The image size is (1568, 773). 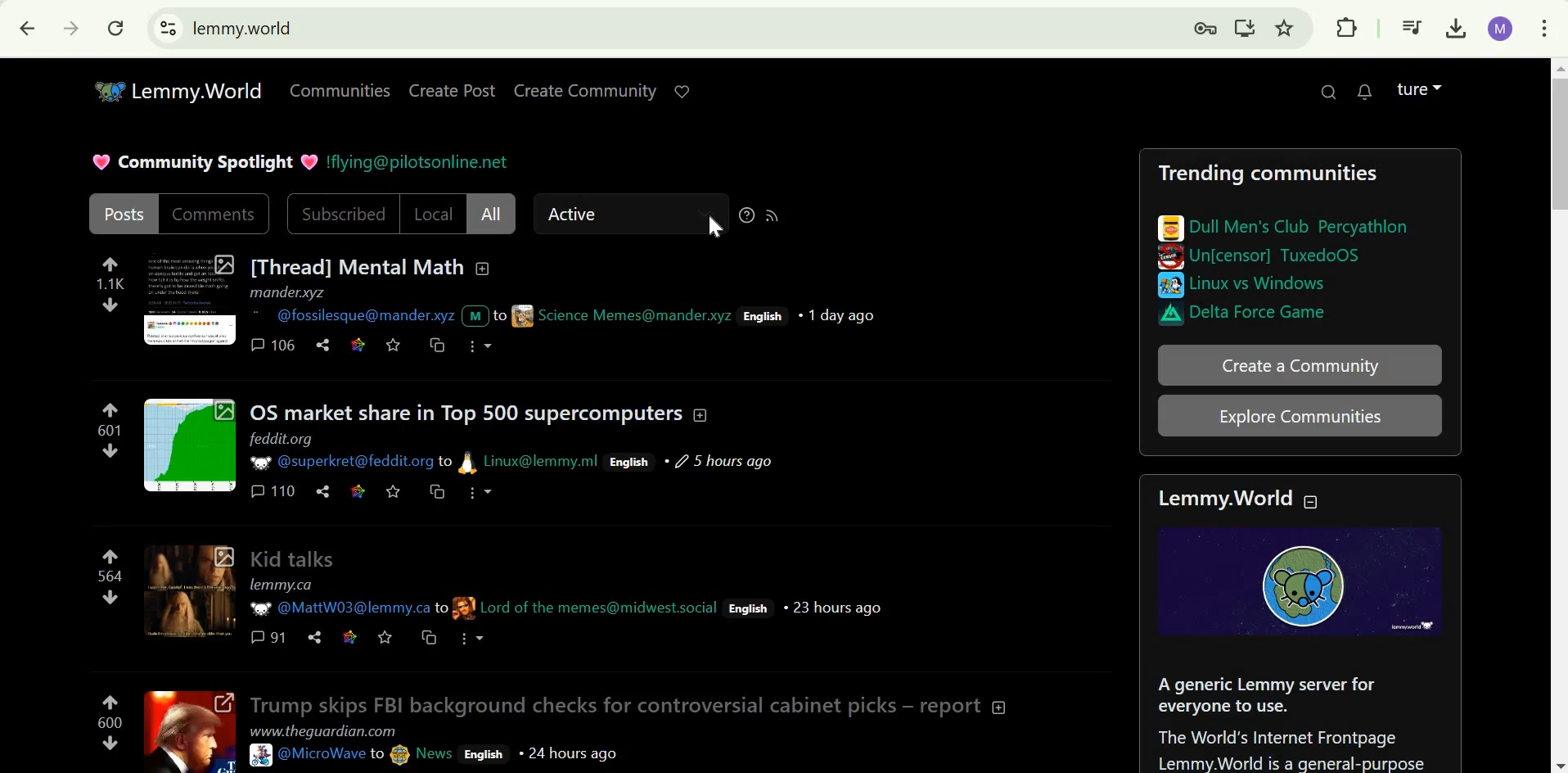 What do you see at coordinates (613, 705) in the screenshot?
I see `Trump skips FBI background checks for controversial cabinet picks - report` at bounding box center [613, 705].